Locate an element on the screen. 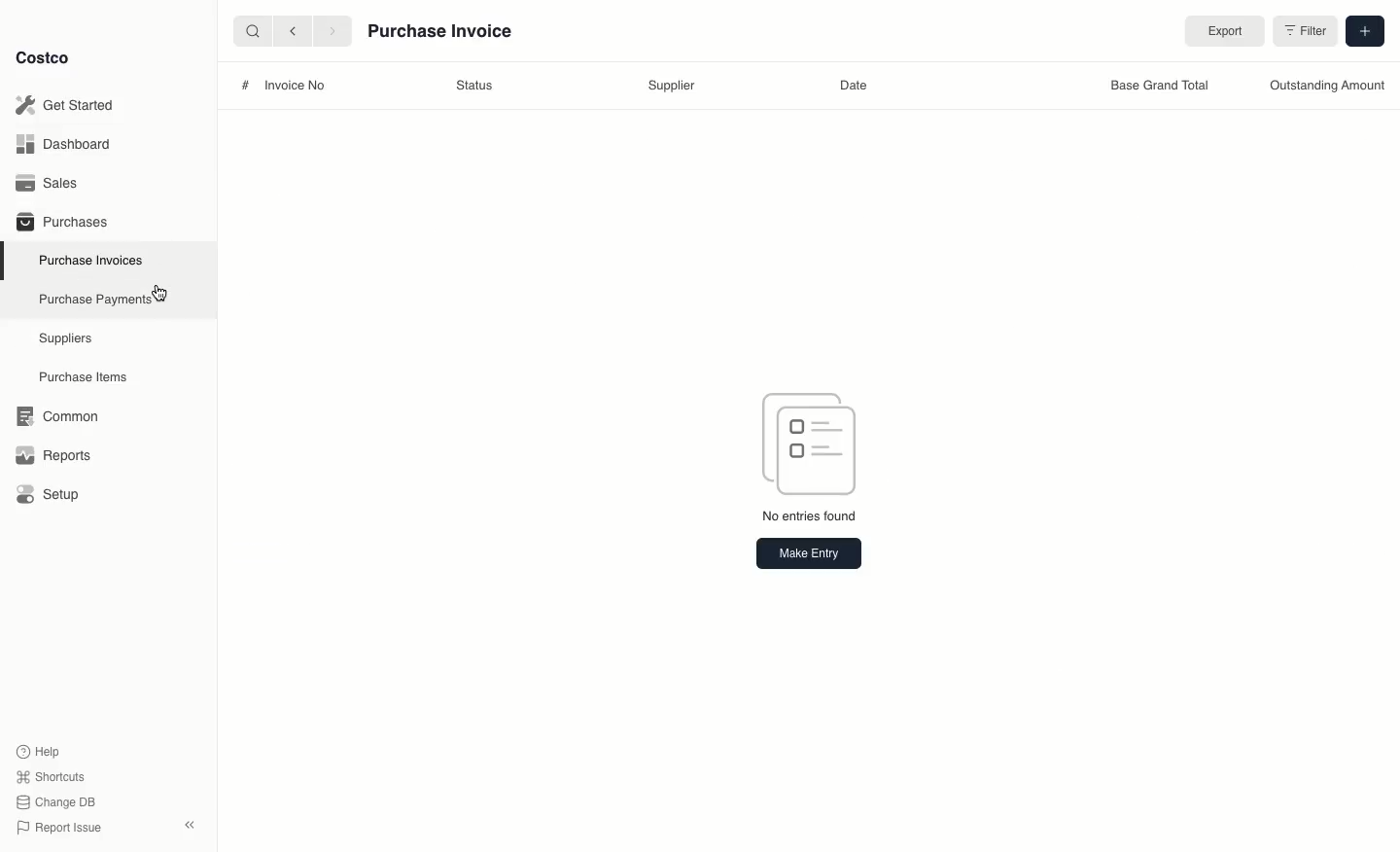 The image size is (1400, 852). Invoice No is located at coordinates (296, 86).